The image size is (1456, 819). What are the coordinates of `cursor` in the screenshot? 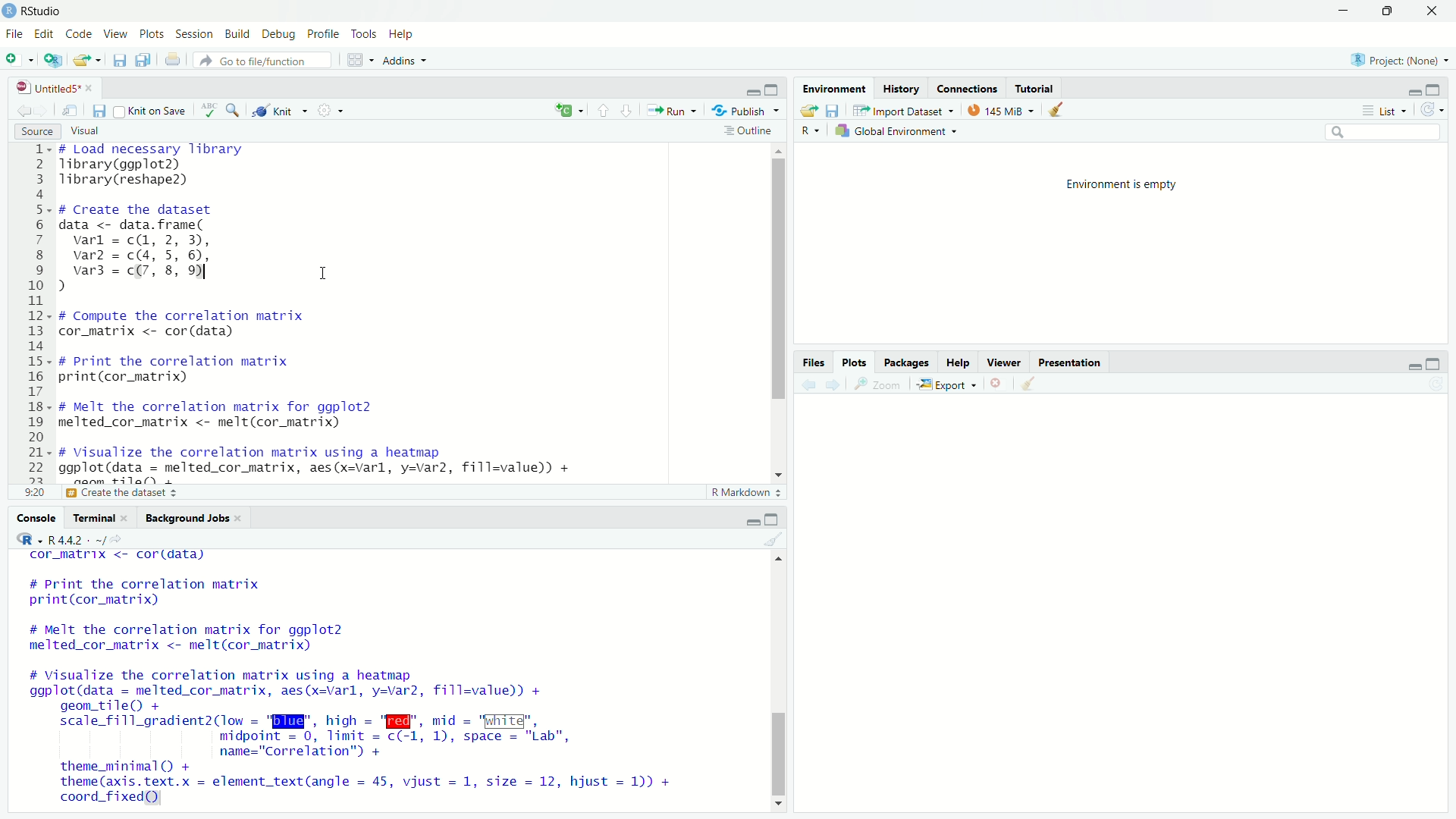 It's located at (324, 272).